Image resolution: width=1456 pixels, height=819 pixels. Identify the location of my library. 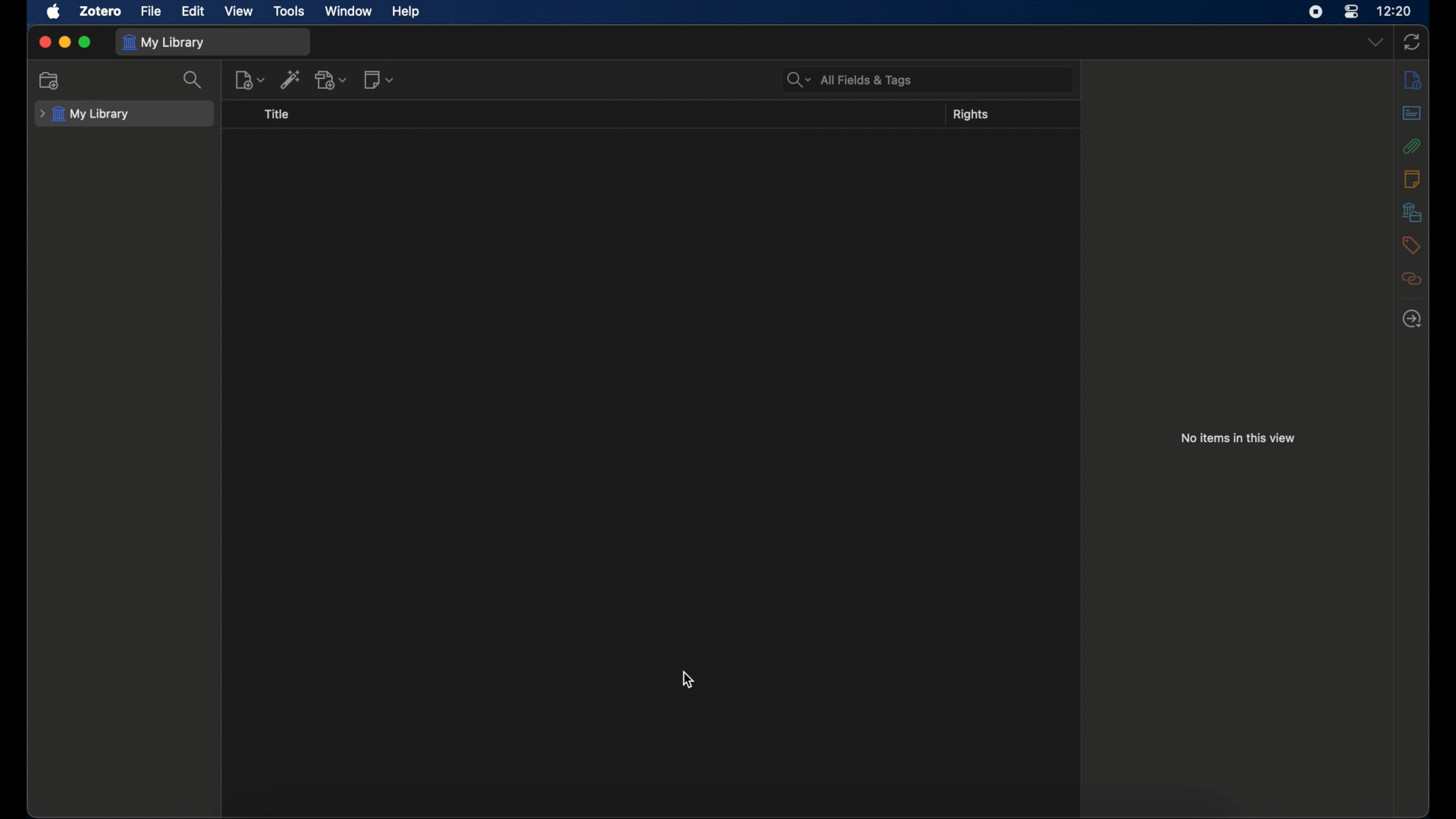
(165, 43).